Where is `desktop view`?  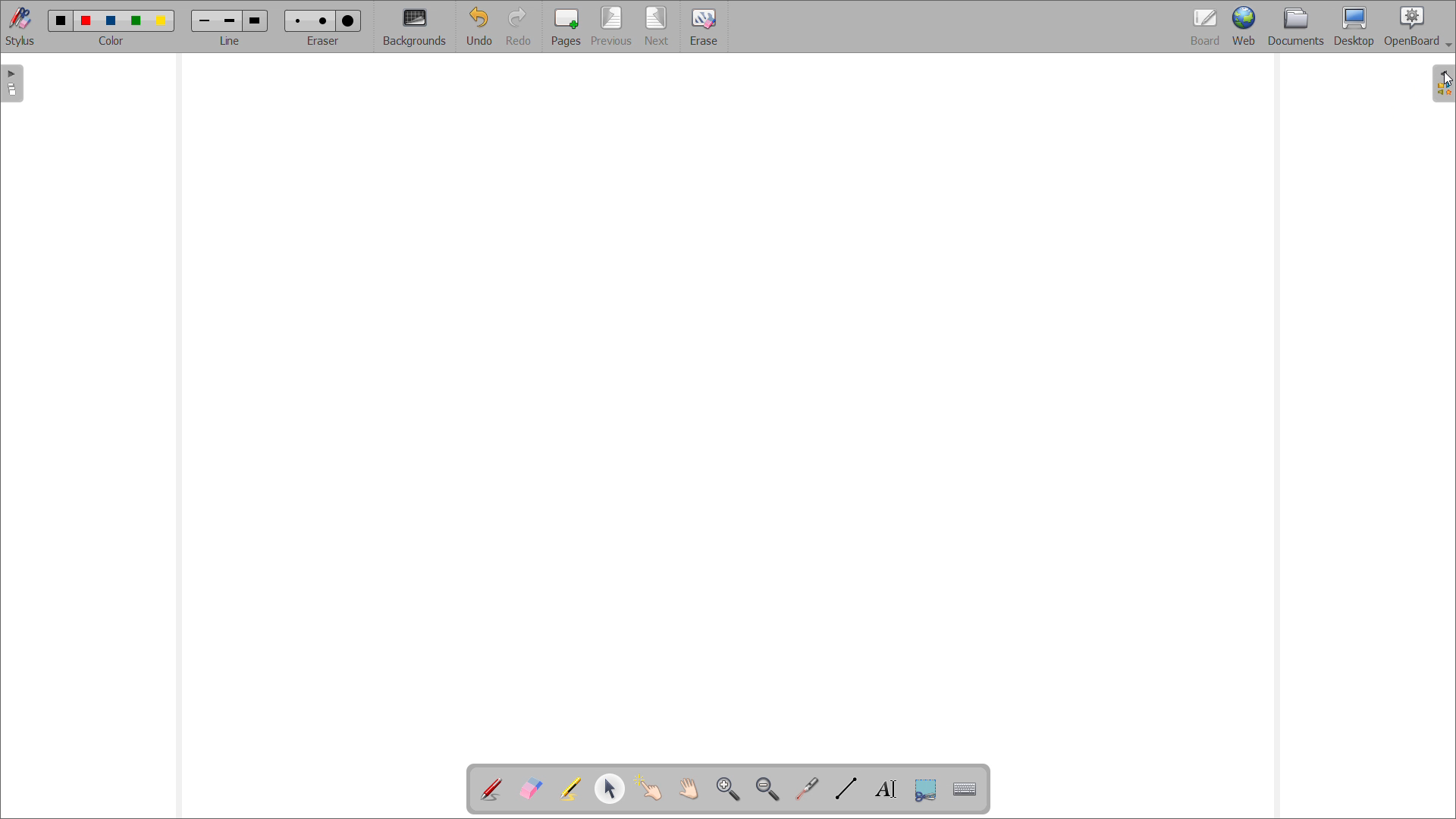
desktop view is located at coordinates (1355, 27).